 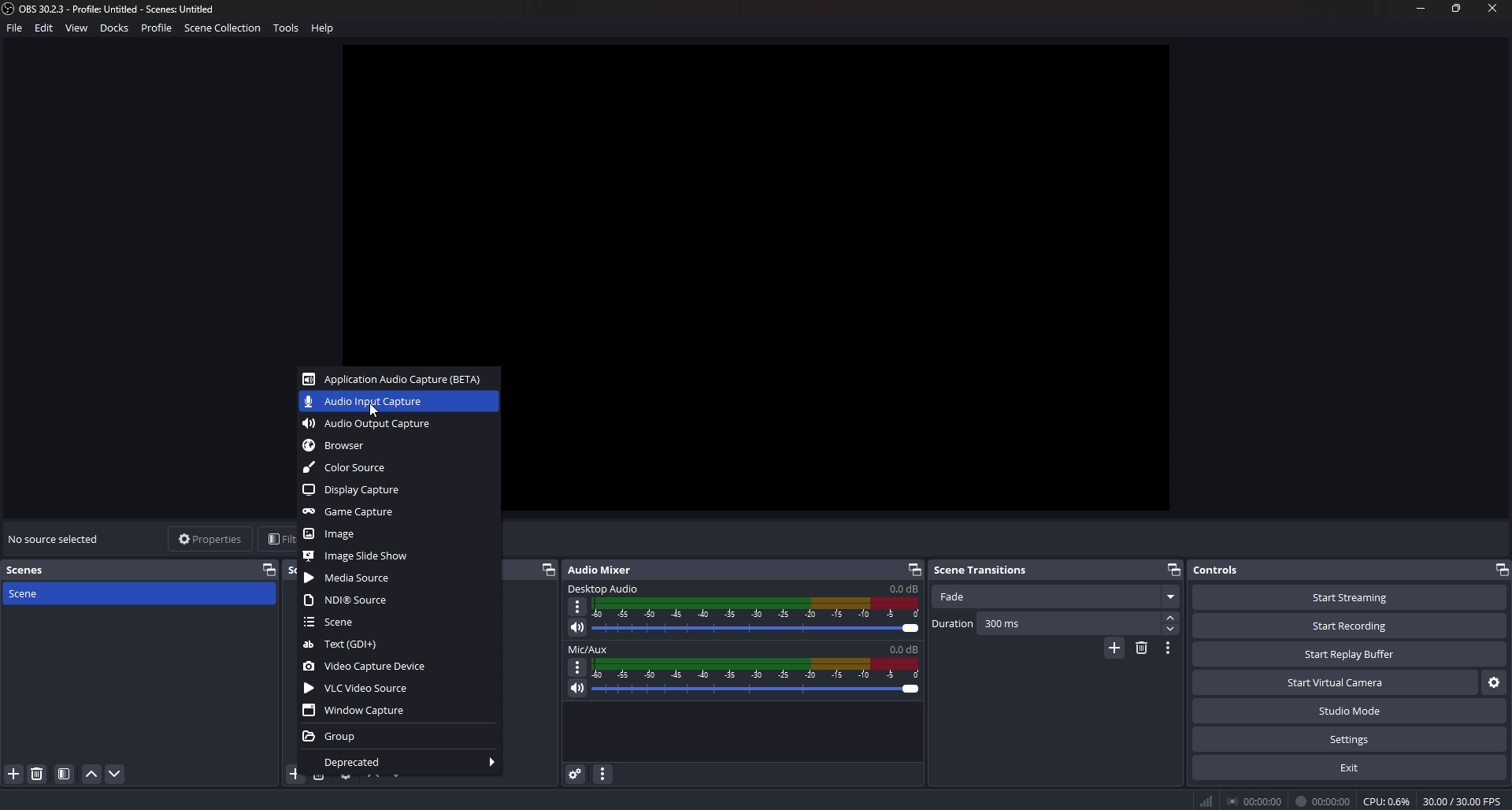 I want to click on files, so click(x=65, y=776).